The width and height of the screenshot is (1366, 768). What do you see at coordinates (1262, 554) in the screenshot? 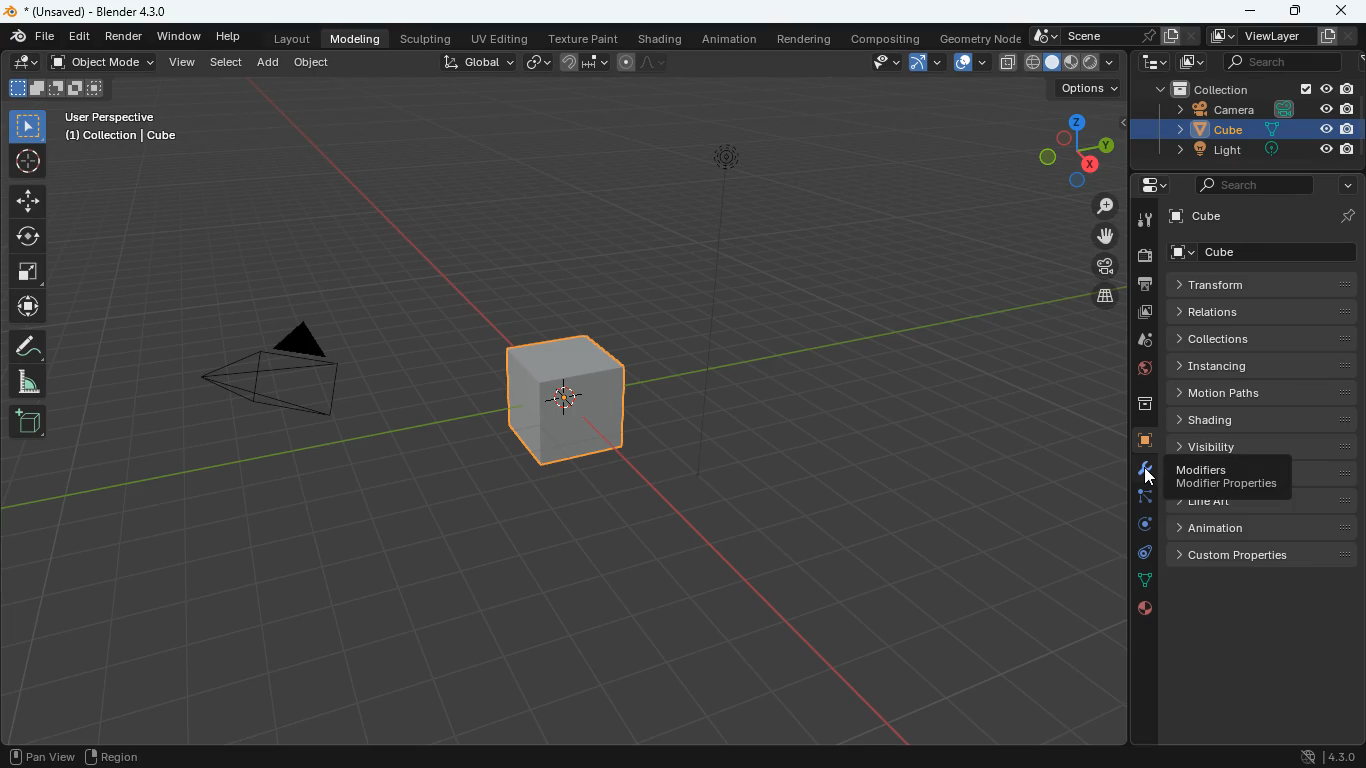
I see `custom properties` at bounding box center [1262, 554].